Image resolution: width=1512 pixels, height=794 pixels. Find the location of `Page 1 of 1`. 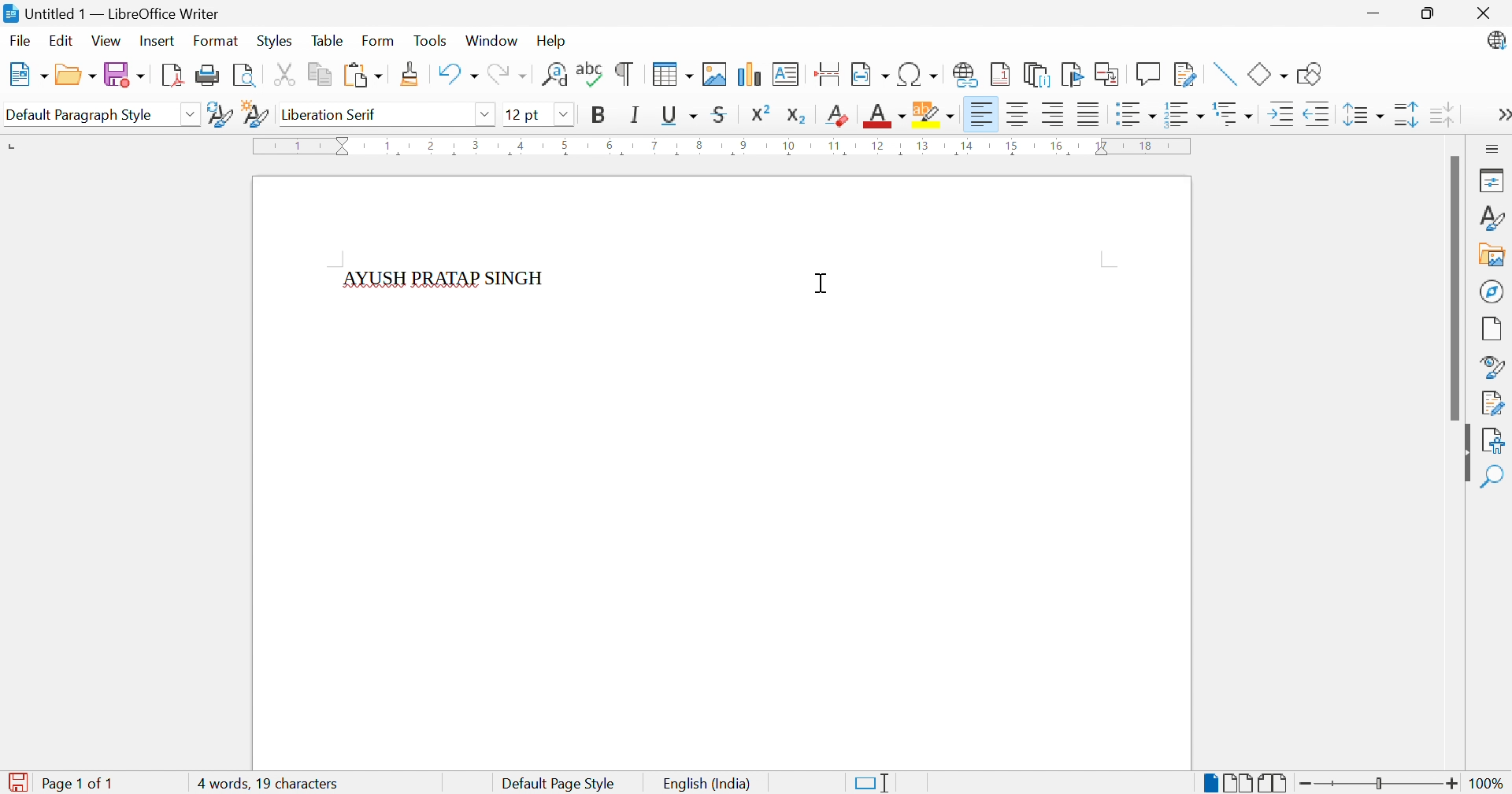

Page 1 of 1 is located at coordinates (82, 783).